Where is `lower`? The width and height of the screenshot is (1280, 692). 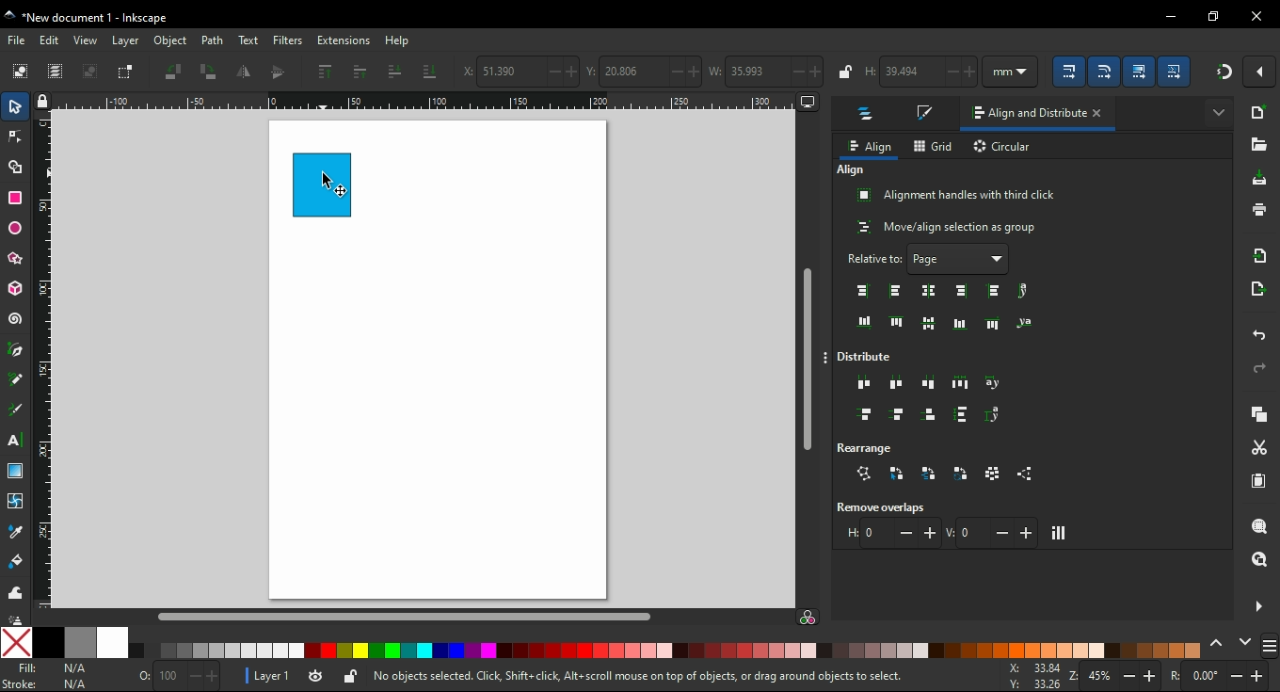
lower is located at coordinates (394, 71).